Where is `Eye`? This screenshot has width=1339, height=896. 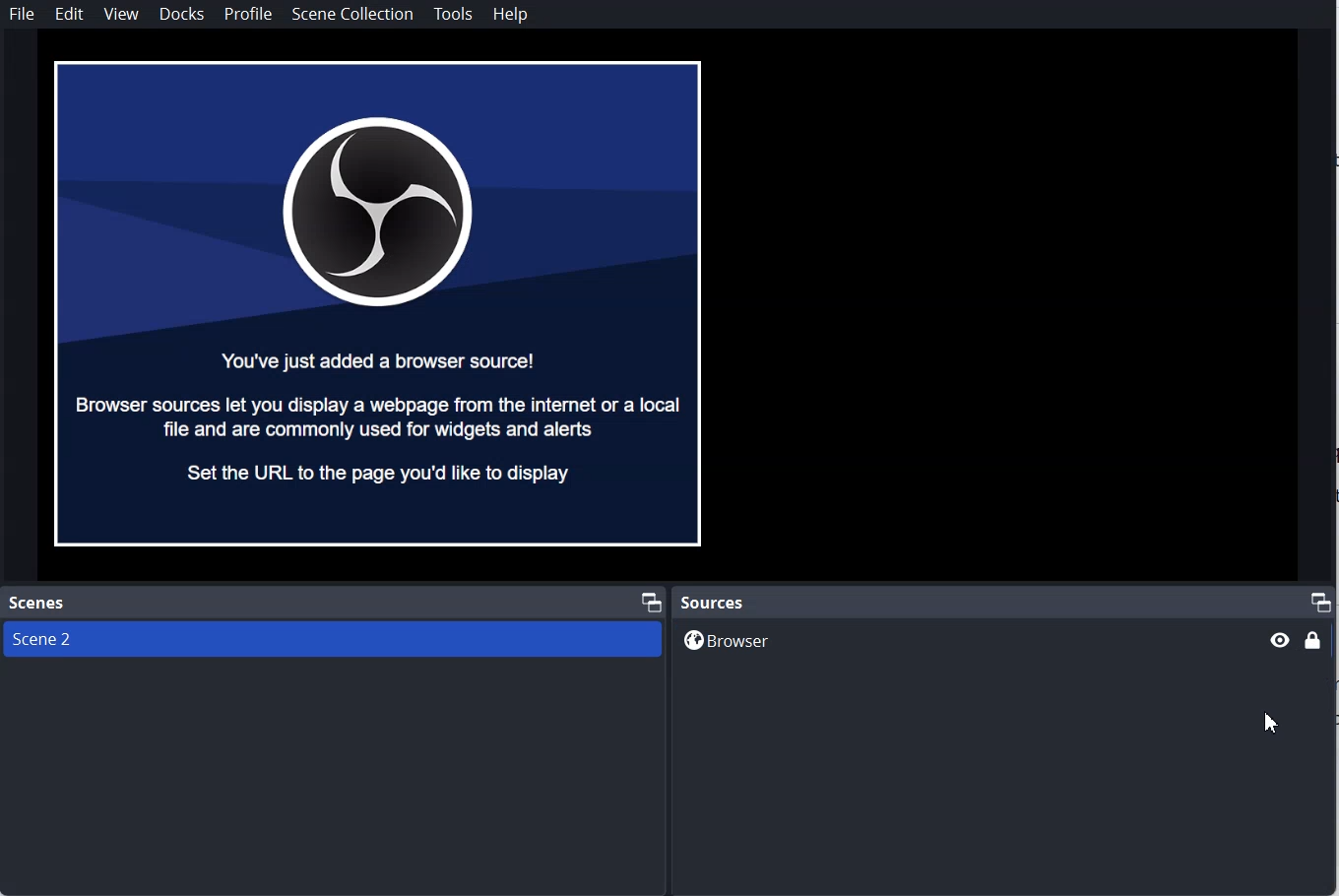 Eye is located at coordinates (1278, 639).